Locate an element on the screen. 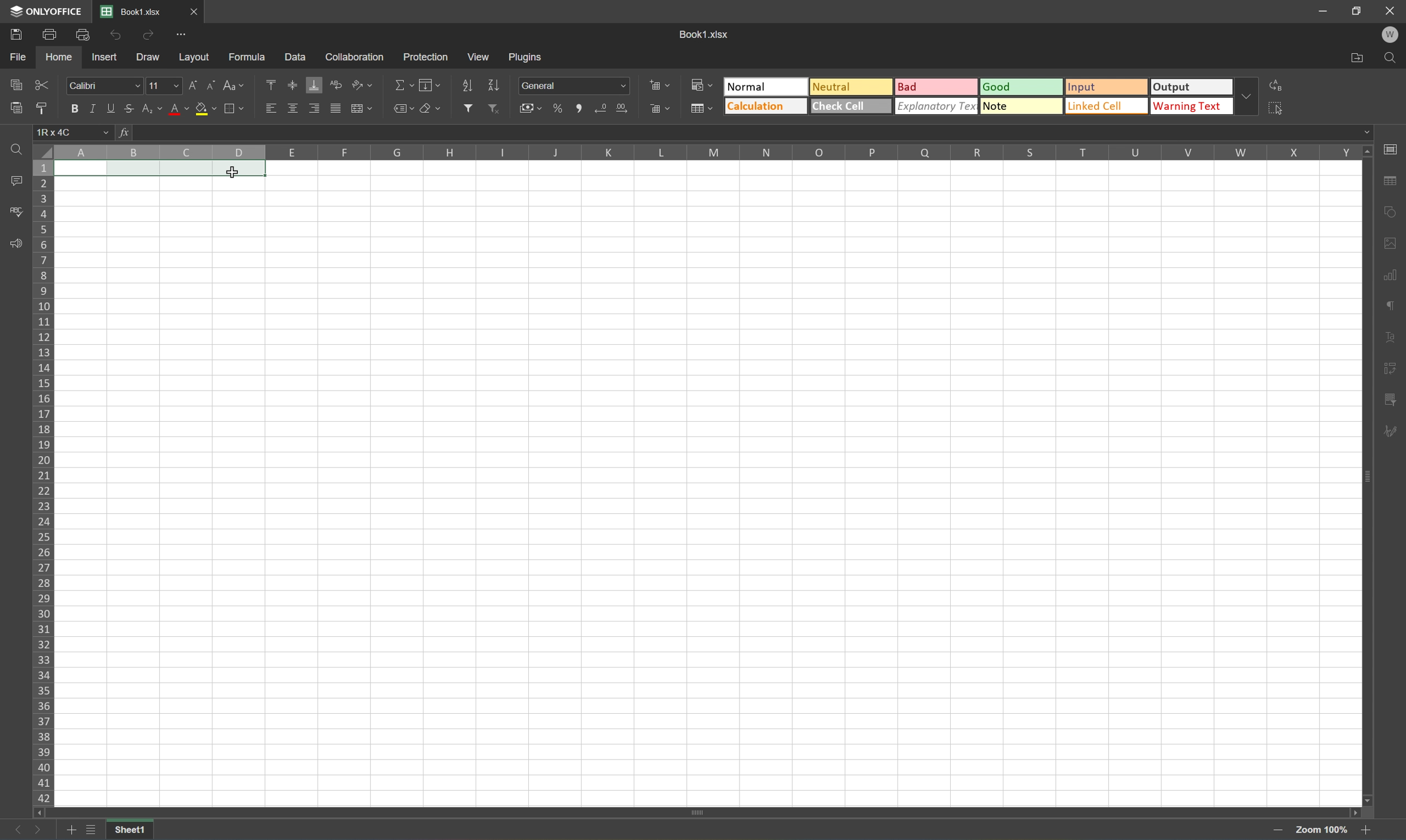  Pivot table settings is located at coordinates (1390, 401).